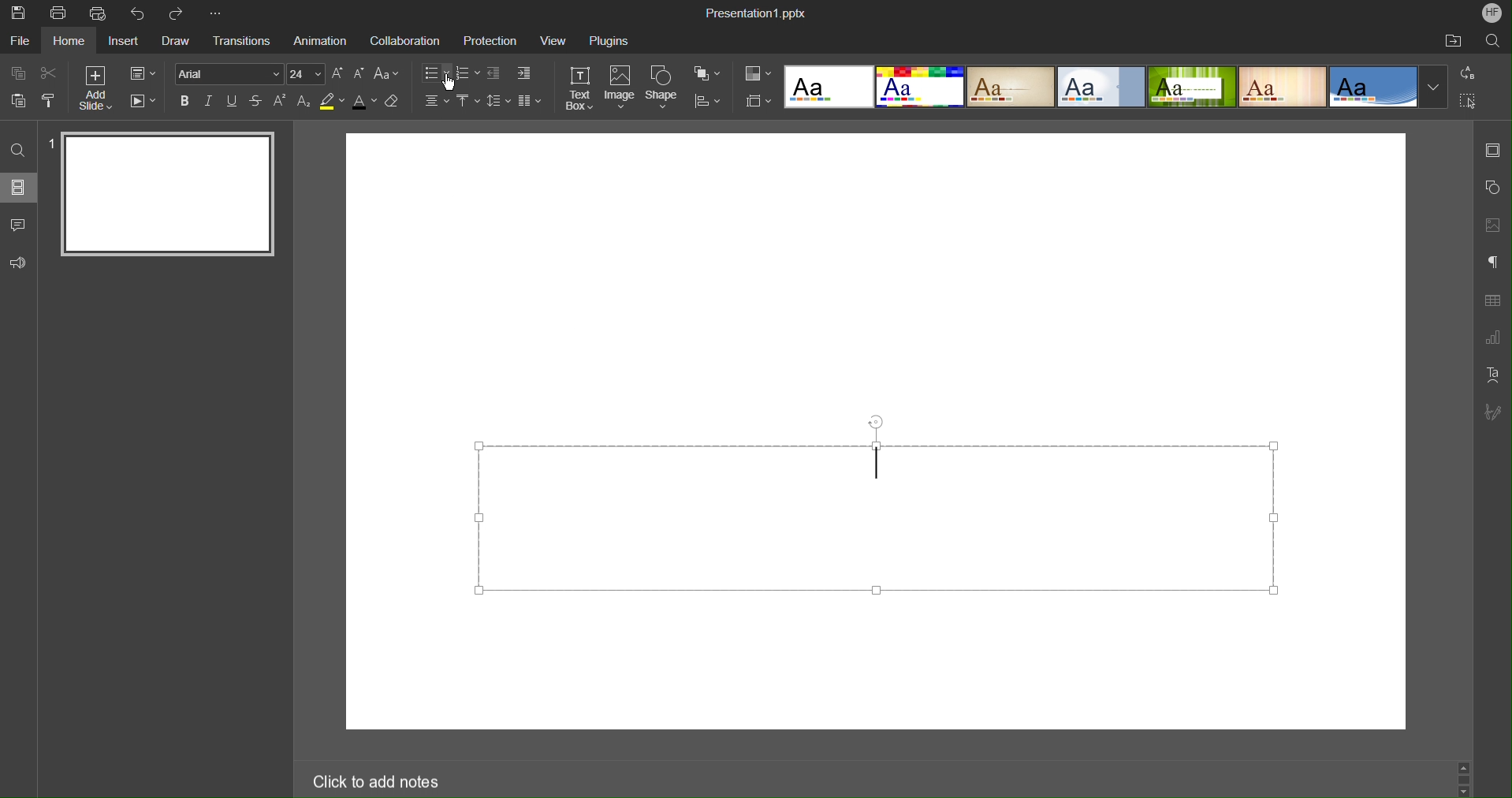 This screenshot has width=1512, height=798. Describe the element at coordinates (1494, 334) in the screenshot. I see `Graph Settings` at that location.